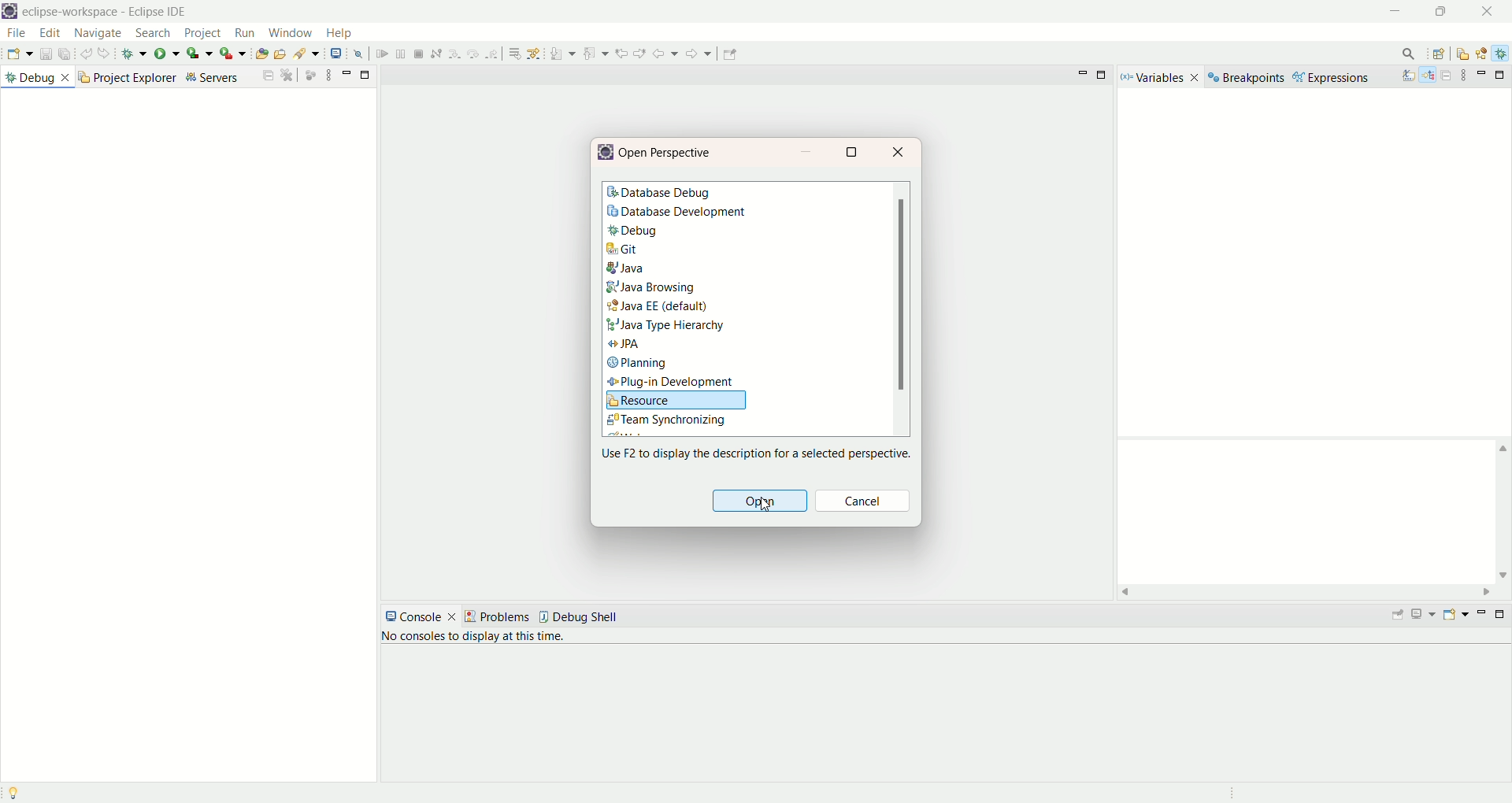  What do you see at coordinates (660, 305) in the screenshot?
I see `Java EE` at bounding box center [660, 305].